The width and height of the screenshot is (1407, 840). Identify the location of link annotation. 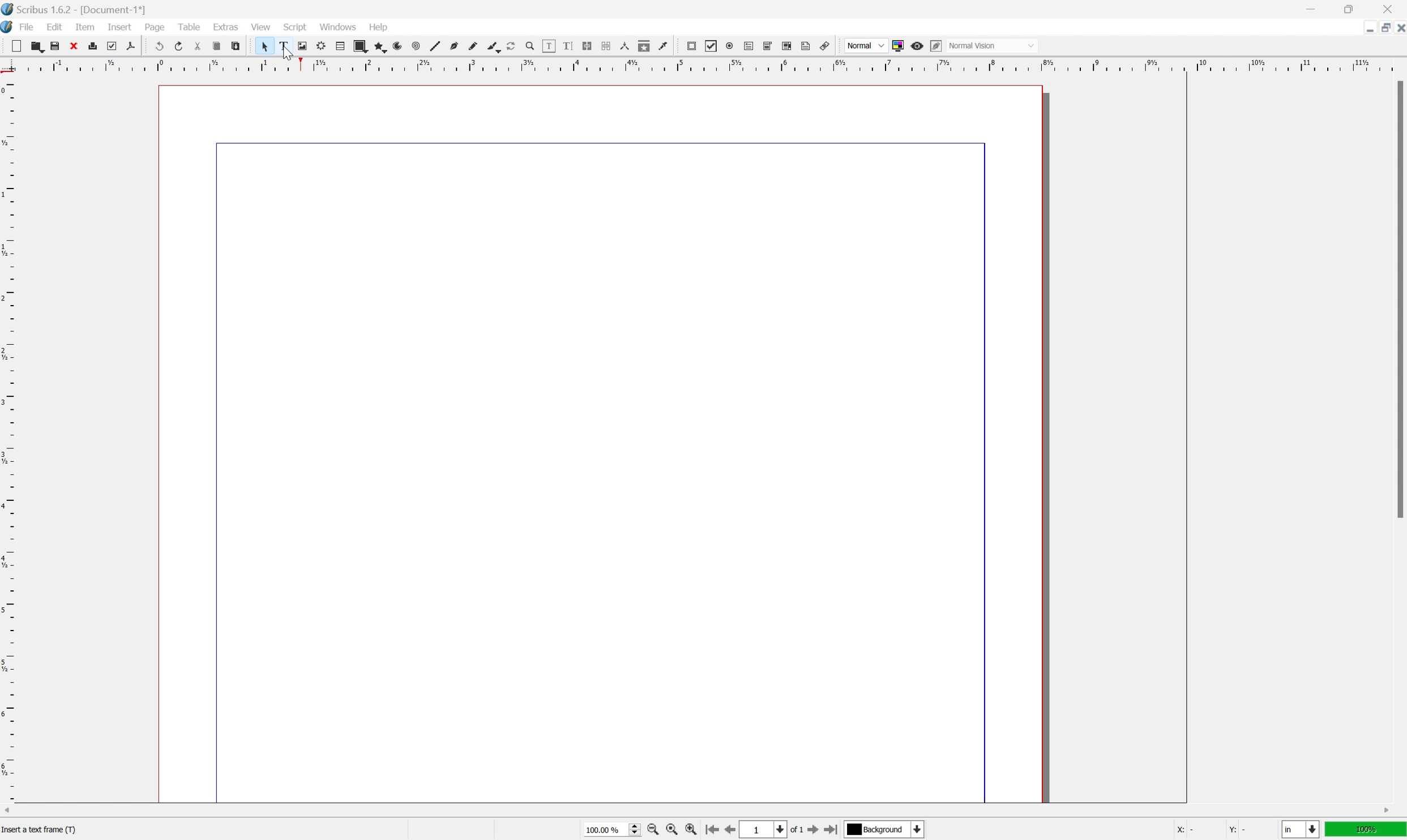
(826, 46).